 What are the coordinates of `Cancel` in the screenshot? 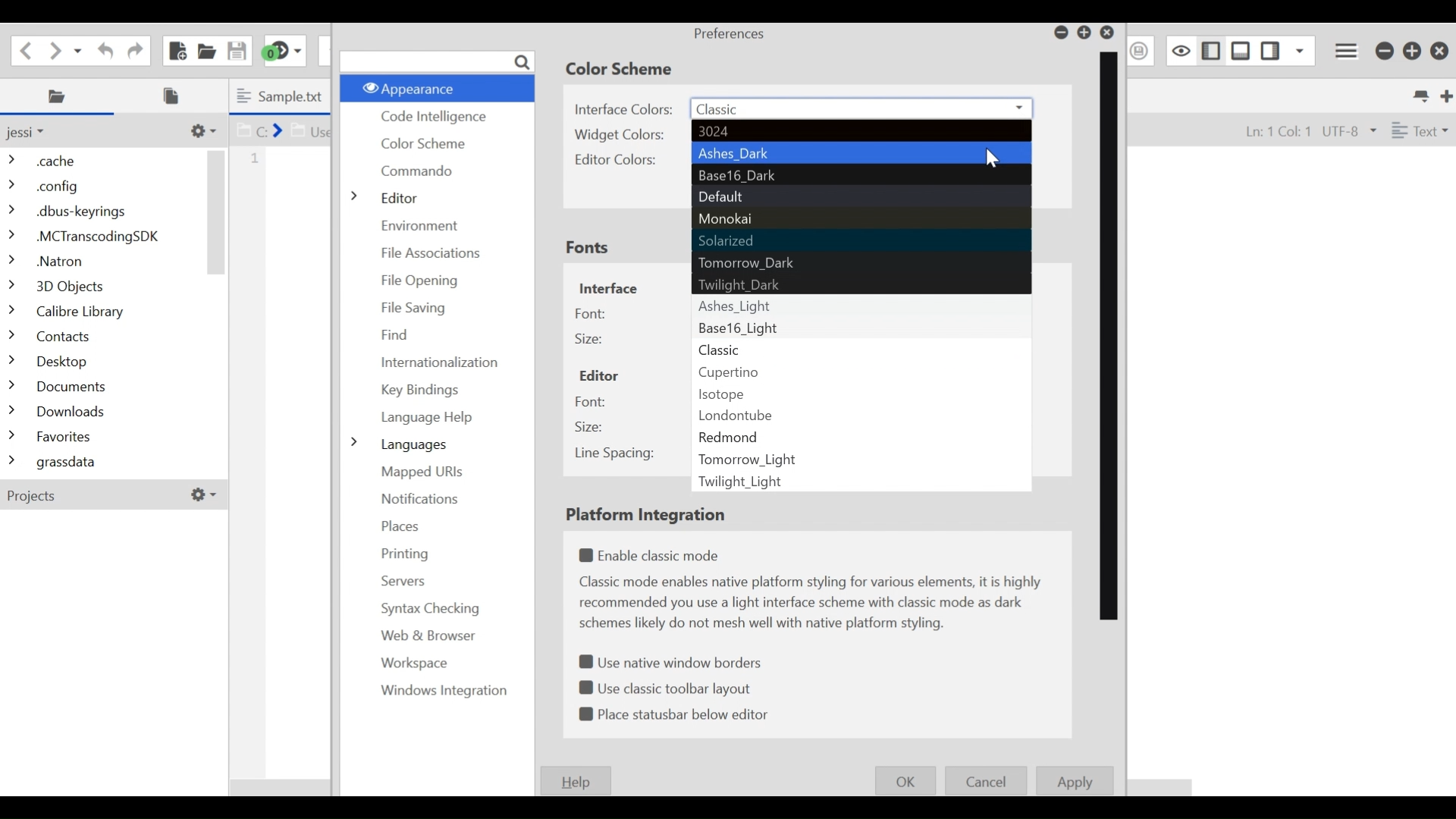 It's located at (987, 780).